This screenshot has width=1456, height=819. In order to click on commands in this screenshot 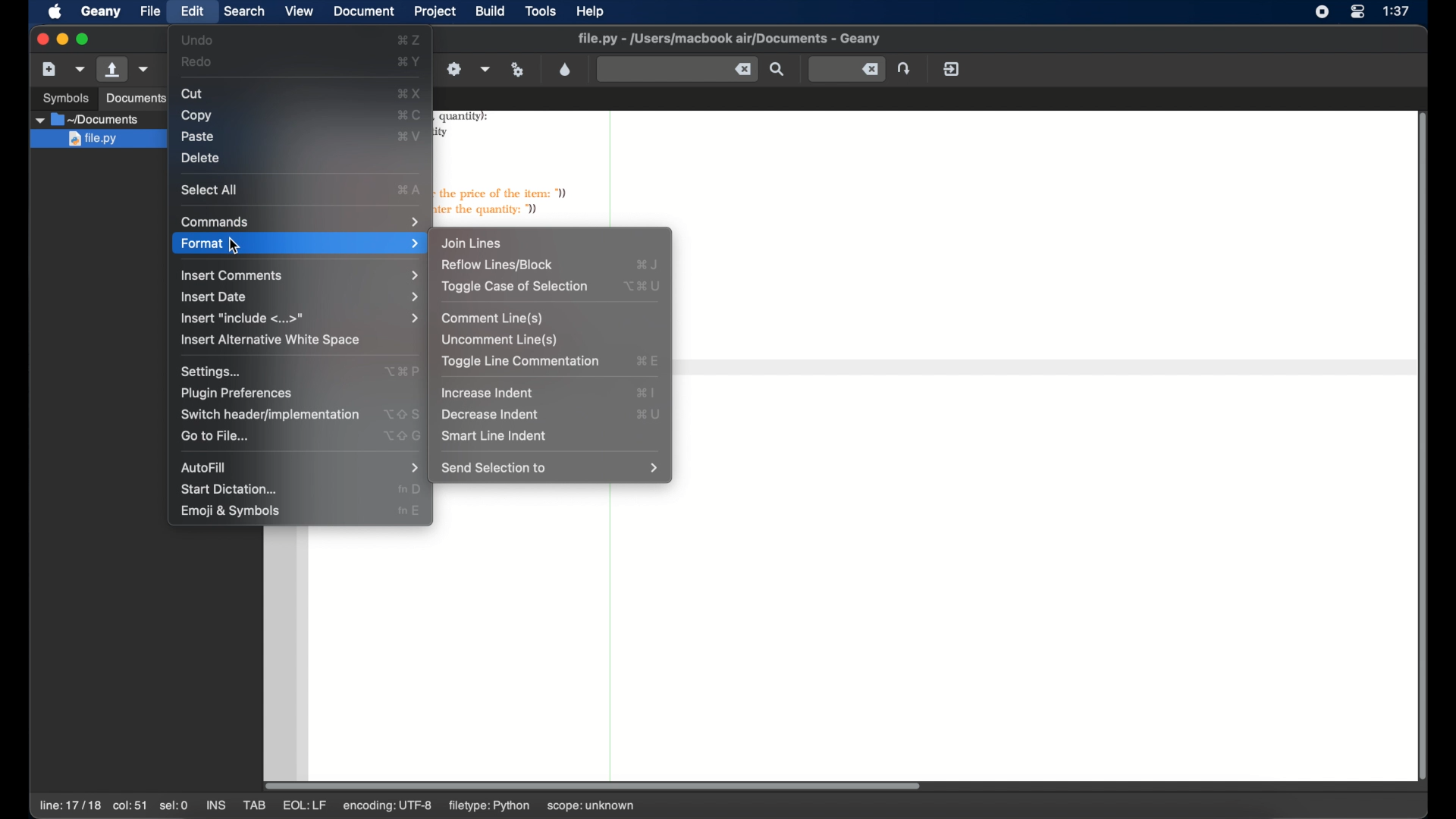, I will do `click(300, 222)`.